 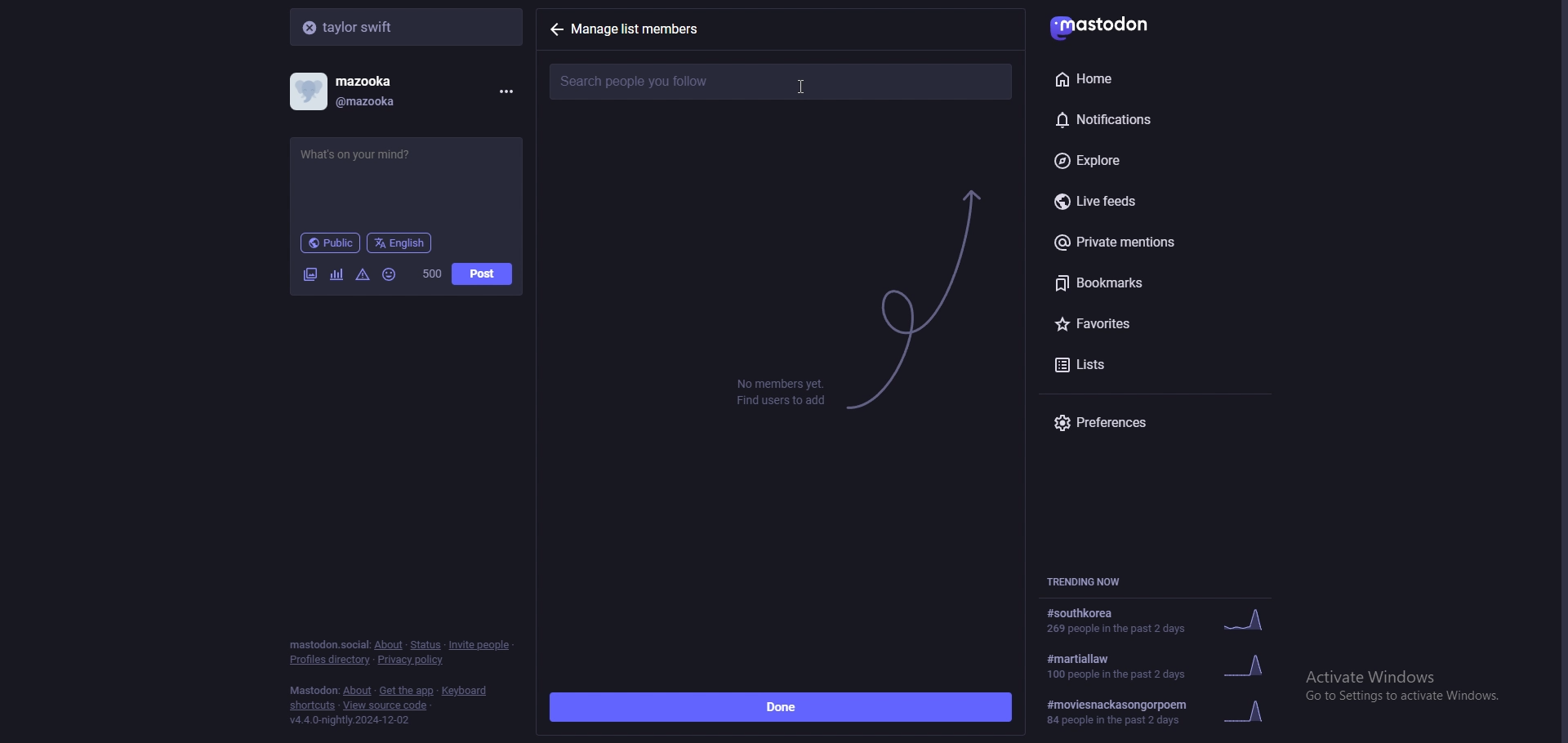 I want to click on get the app, so click(x=407, y=691).